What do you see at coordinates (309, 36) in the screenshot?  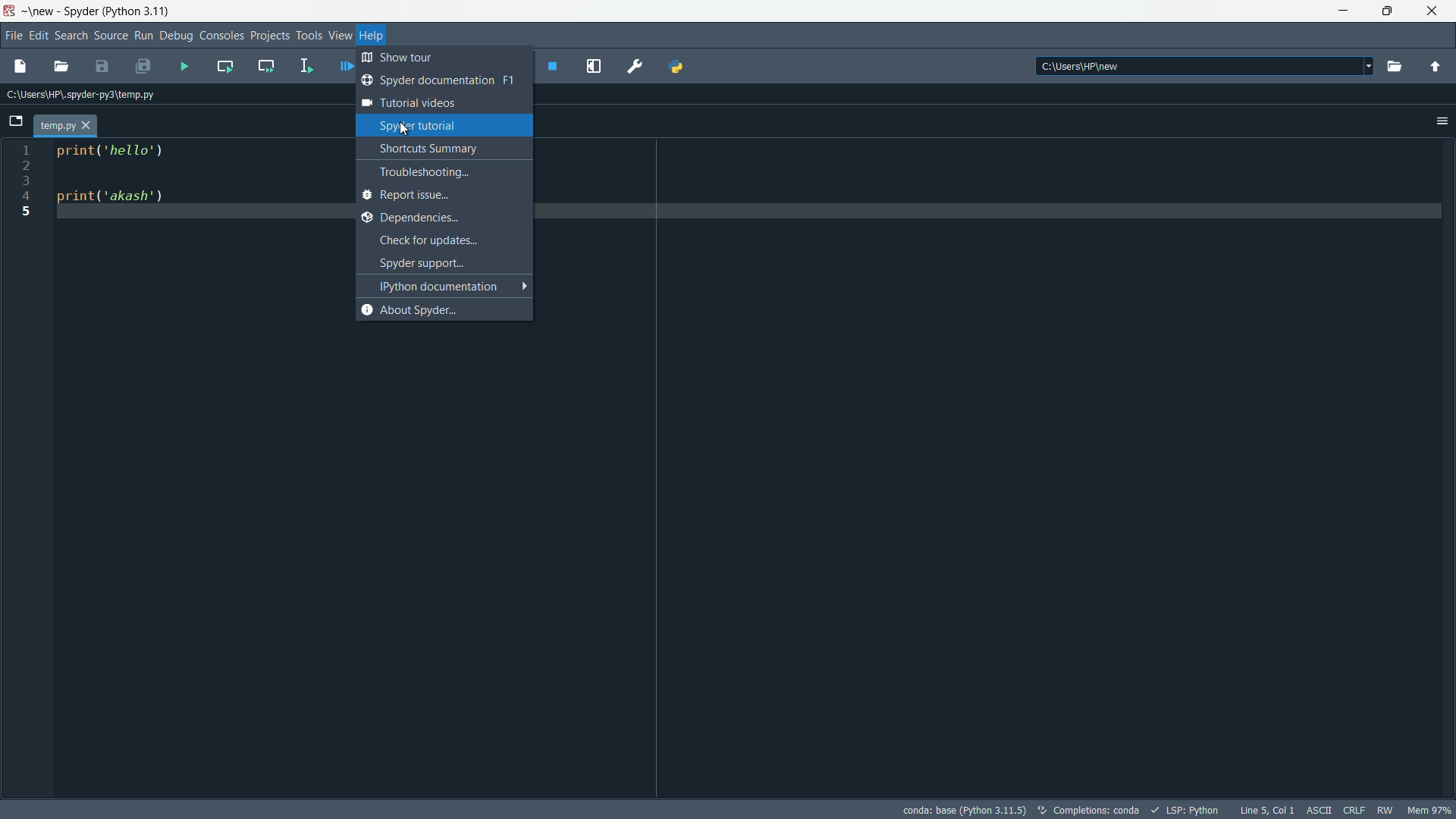 I see `tools menu` at bounding box center [309, 36].